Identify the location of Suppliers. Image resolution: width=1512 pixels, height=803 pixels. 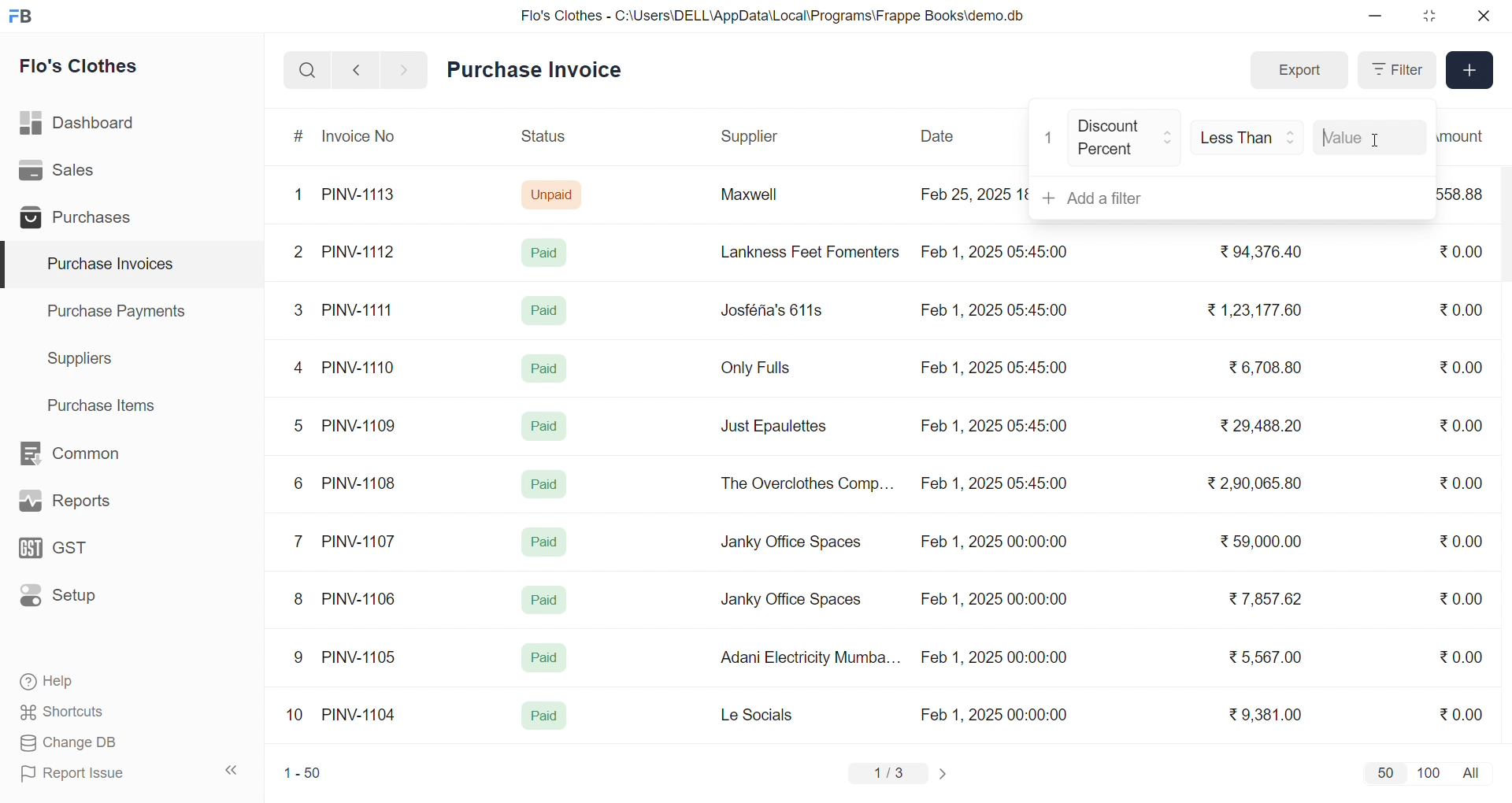
(83, 358).